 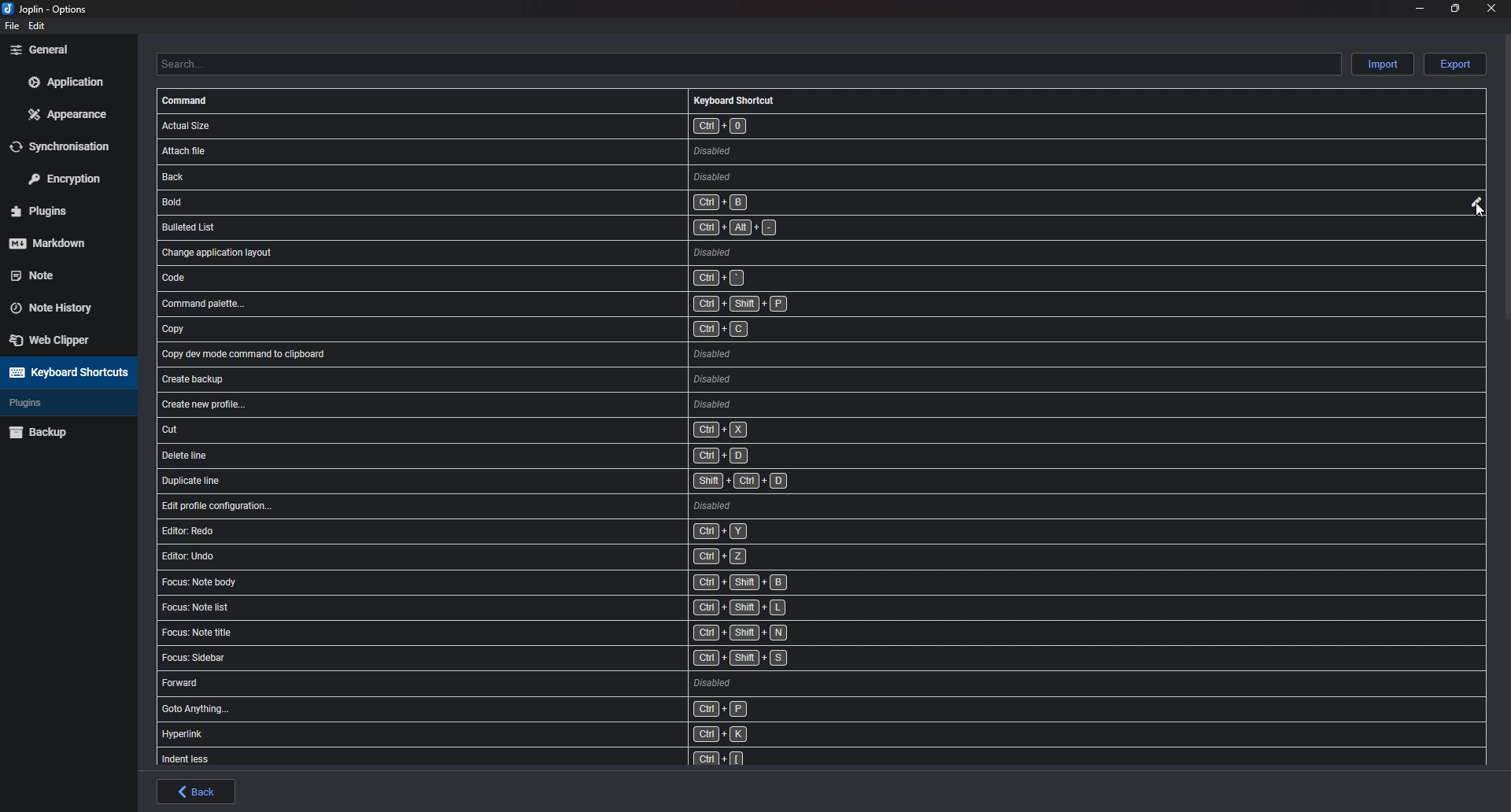 I want to click on shortcut, so click(x=522, y=584).